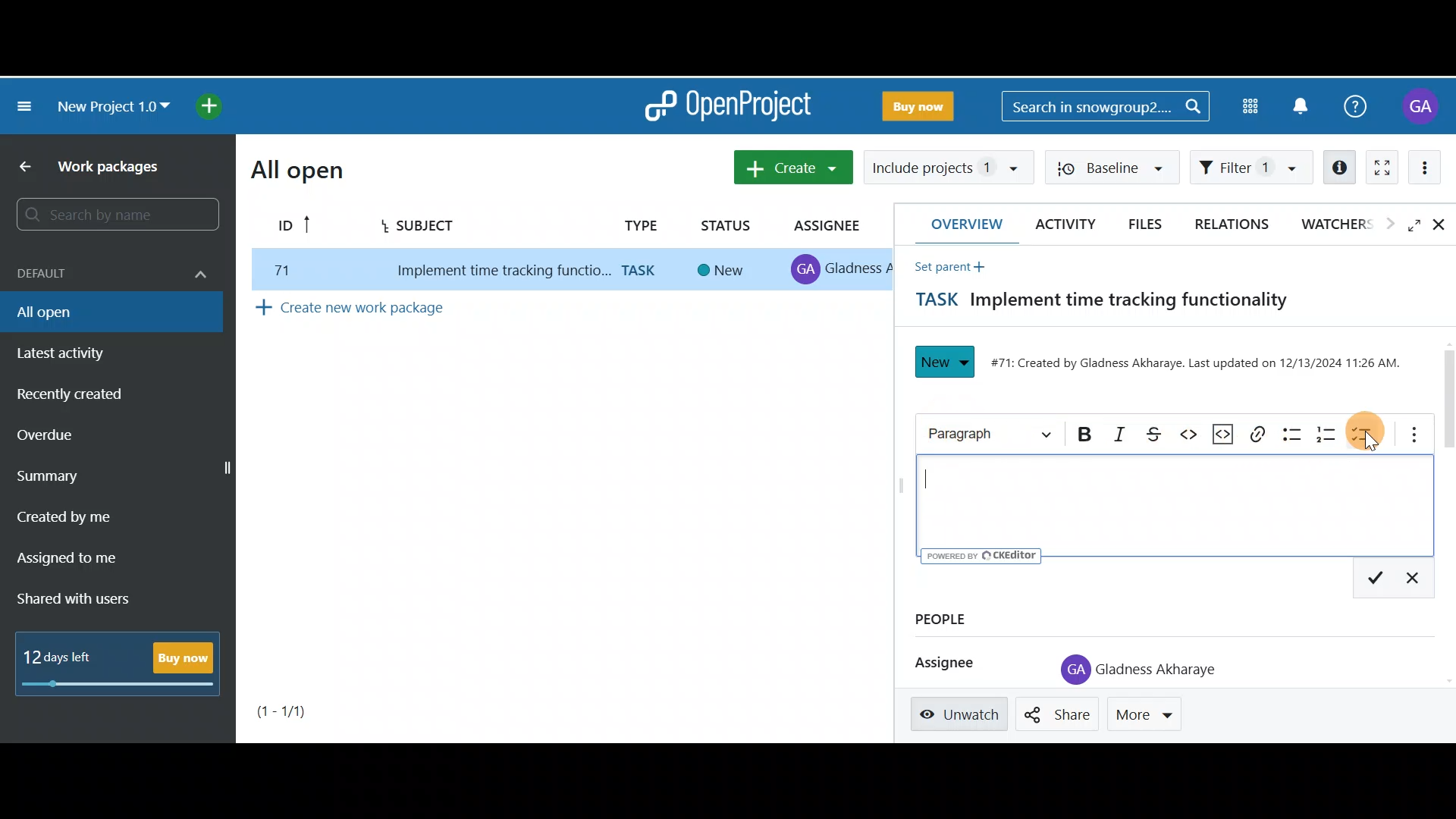  What do you see at coordinates (1404, 226) in the screenshot?
I see `Open fullscreen view` at bounding box center [1404, 226].